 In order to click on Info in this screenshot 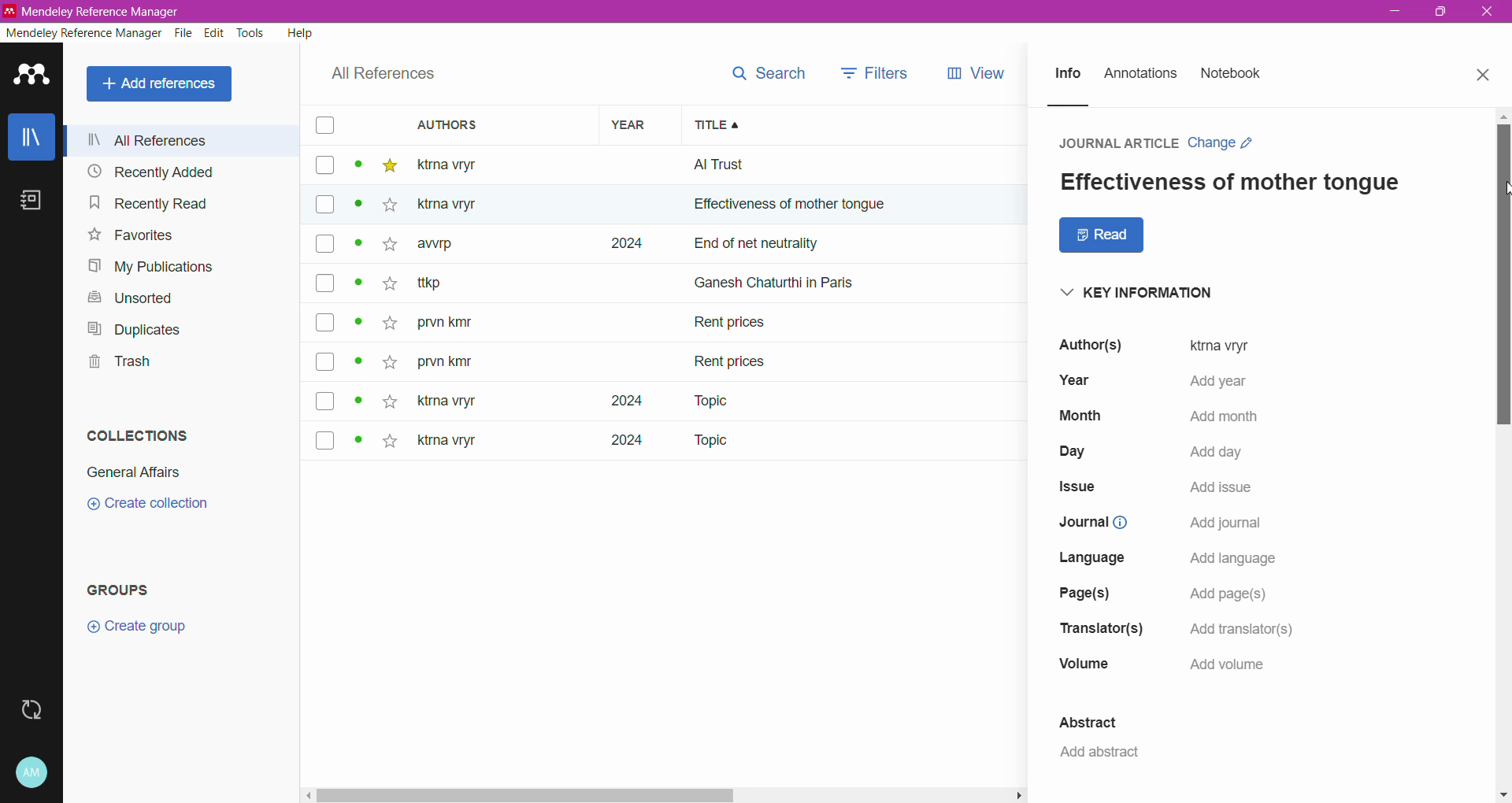, I will do `click(1066, 75)`.